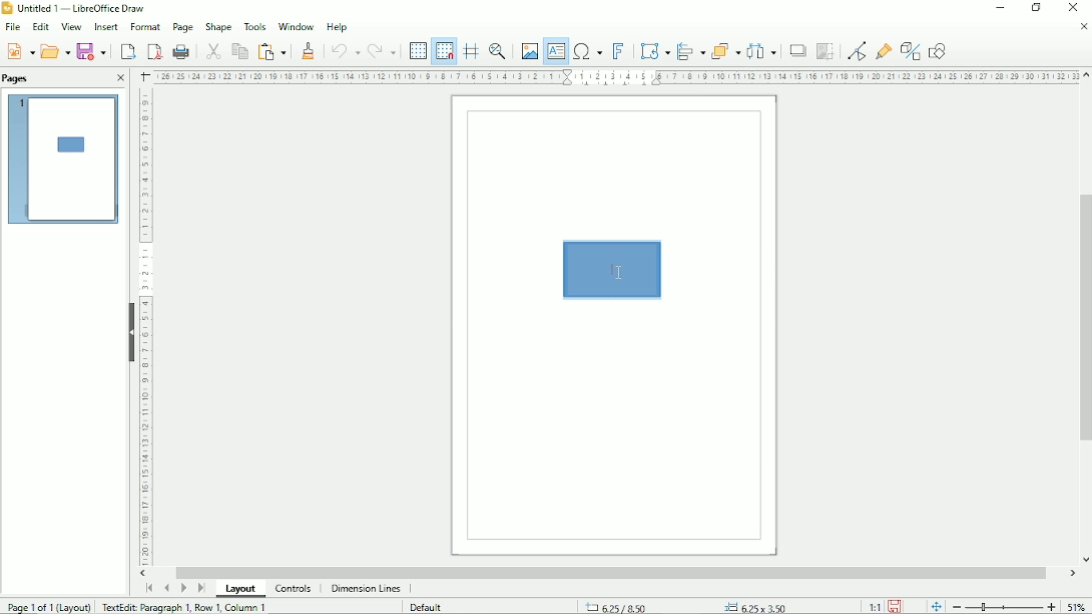  What do you see at coordinates (857, 50) in the screenshot?
I see `Toggle point edit mode` at bounding box center [857, 50].